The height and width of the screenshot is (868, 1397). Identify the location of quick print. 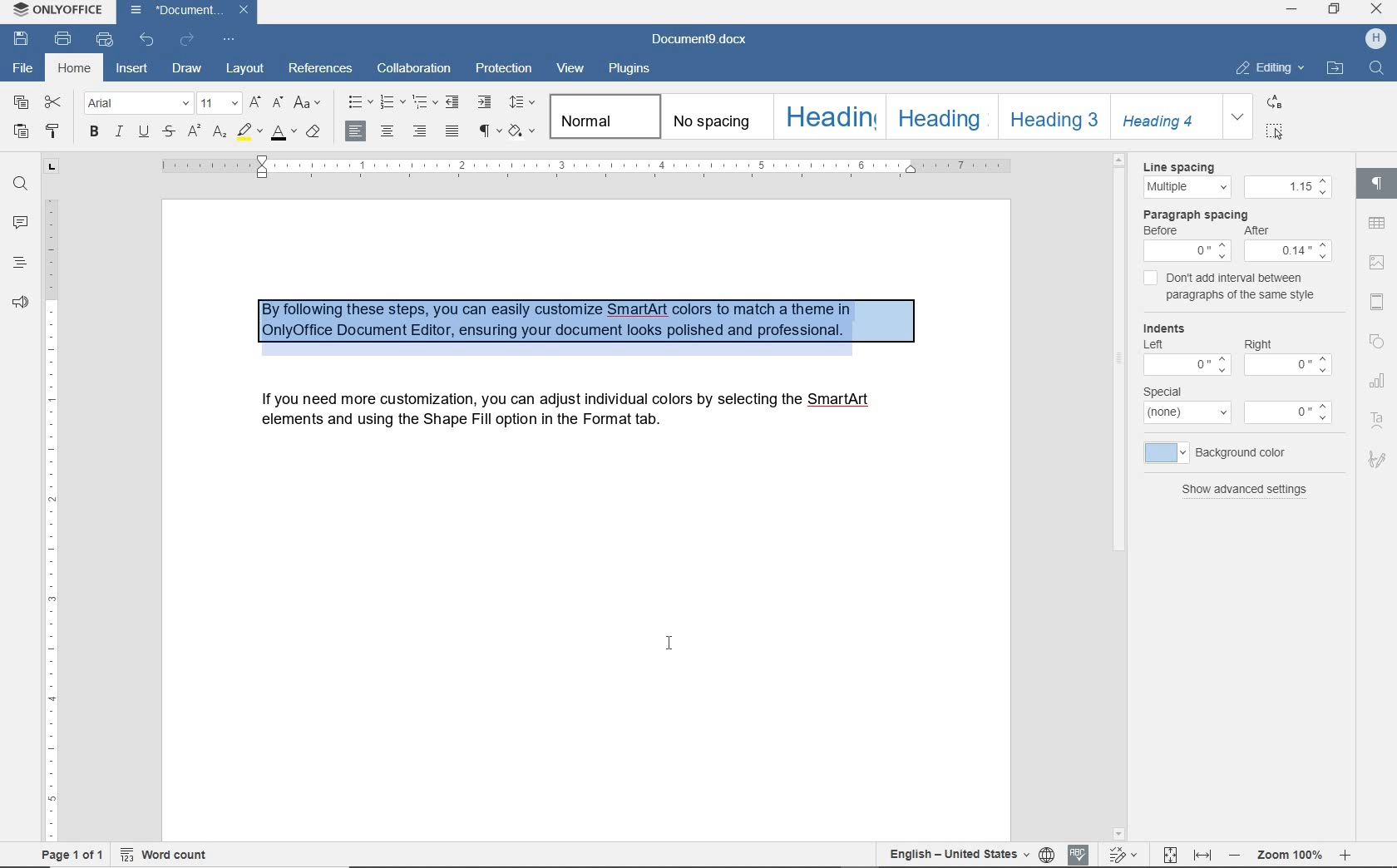
(106, 41).